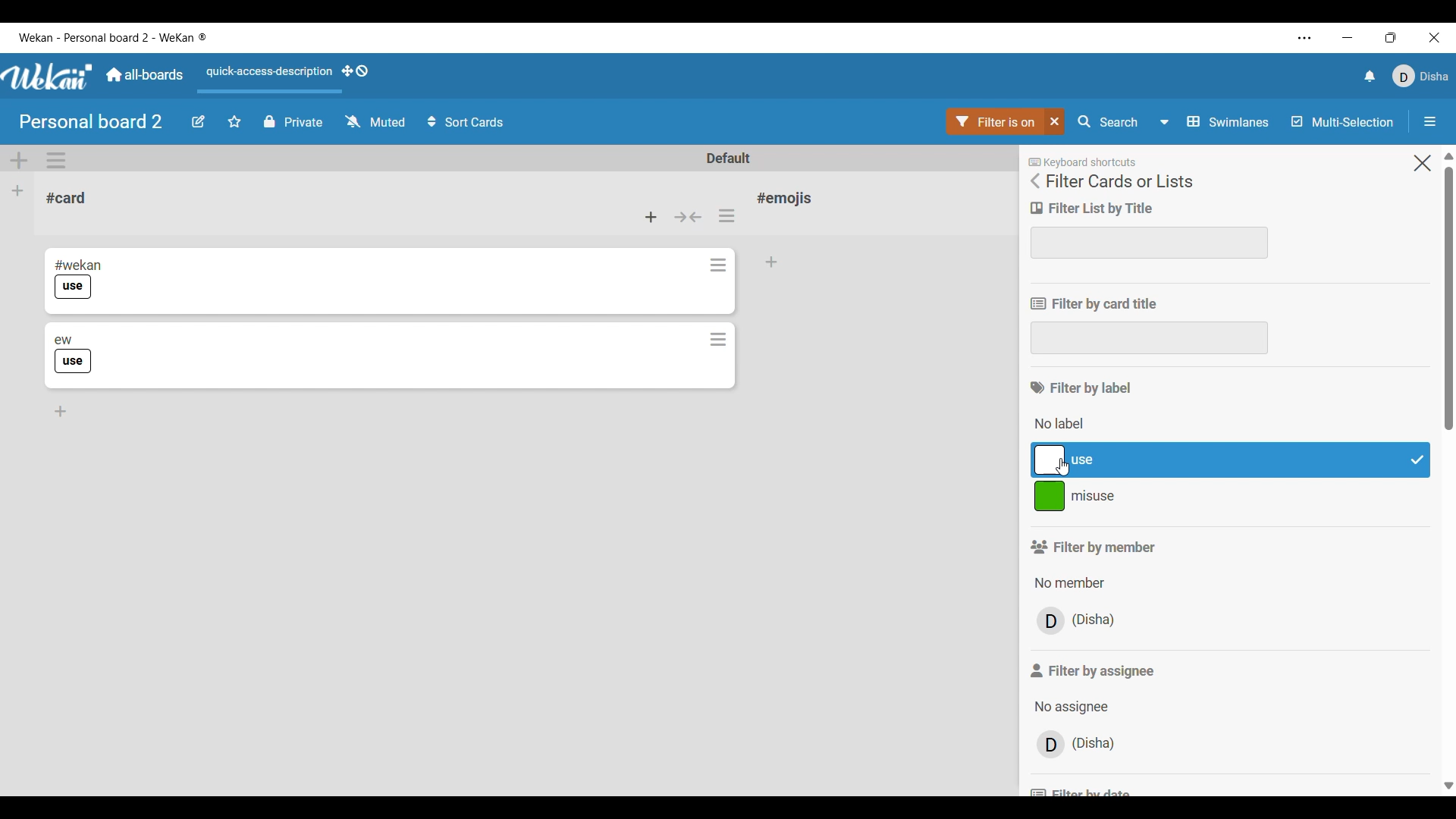  Describe the element at coordinates (1448, 472) in the screenshot. I see `Vertical slide bar` at that location.